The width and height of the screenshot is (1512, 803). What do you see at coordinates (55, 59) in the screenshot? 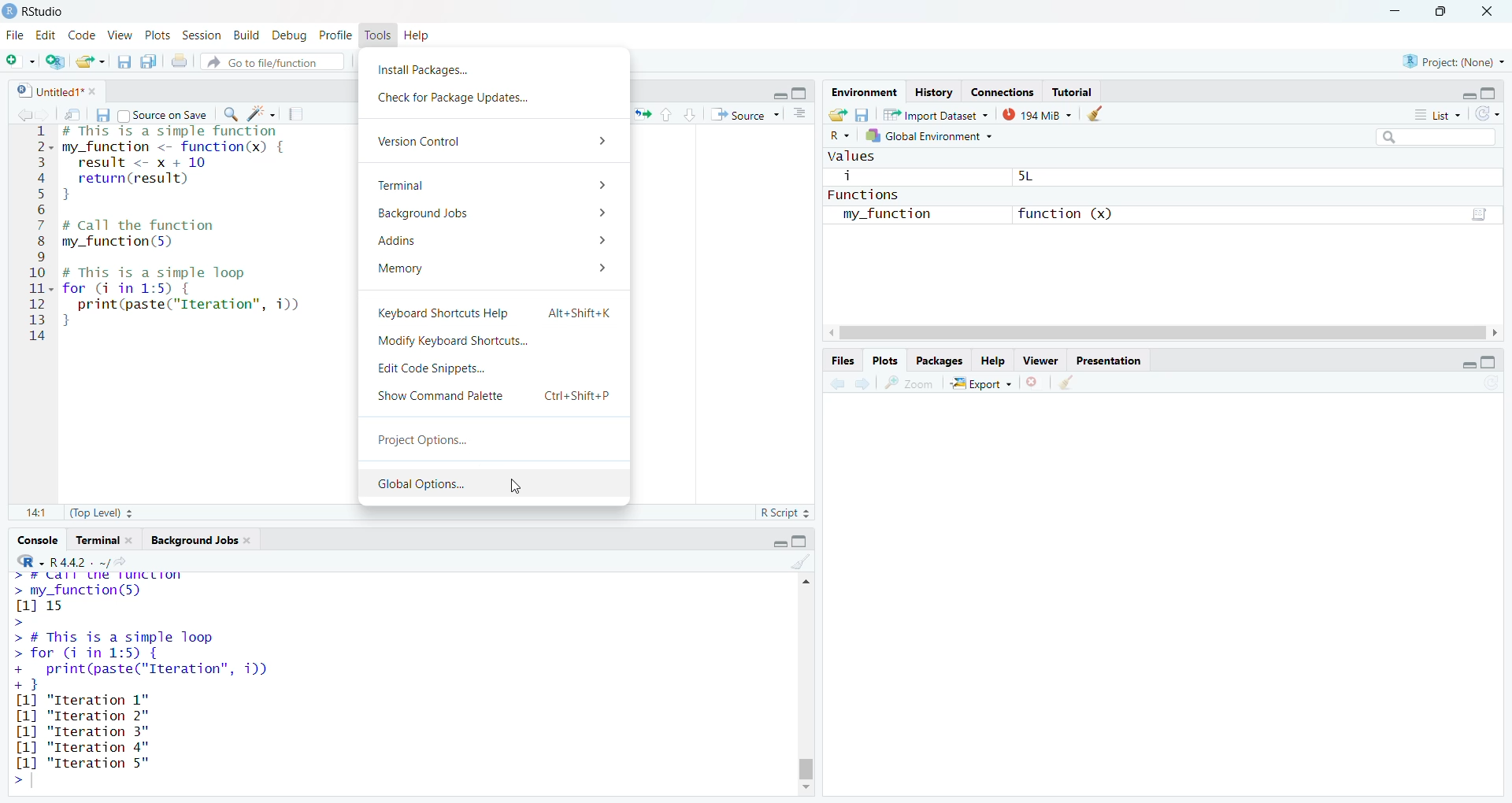
I see `create a project` at bounding box center [55, 59].